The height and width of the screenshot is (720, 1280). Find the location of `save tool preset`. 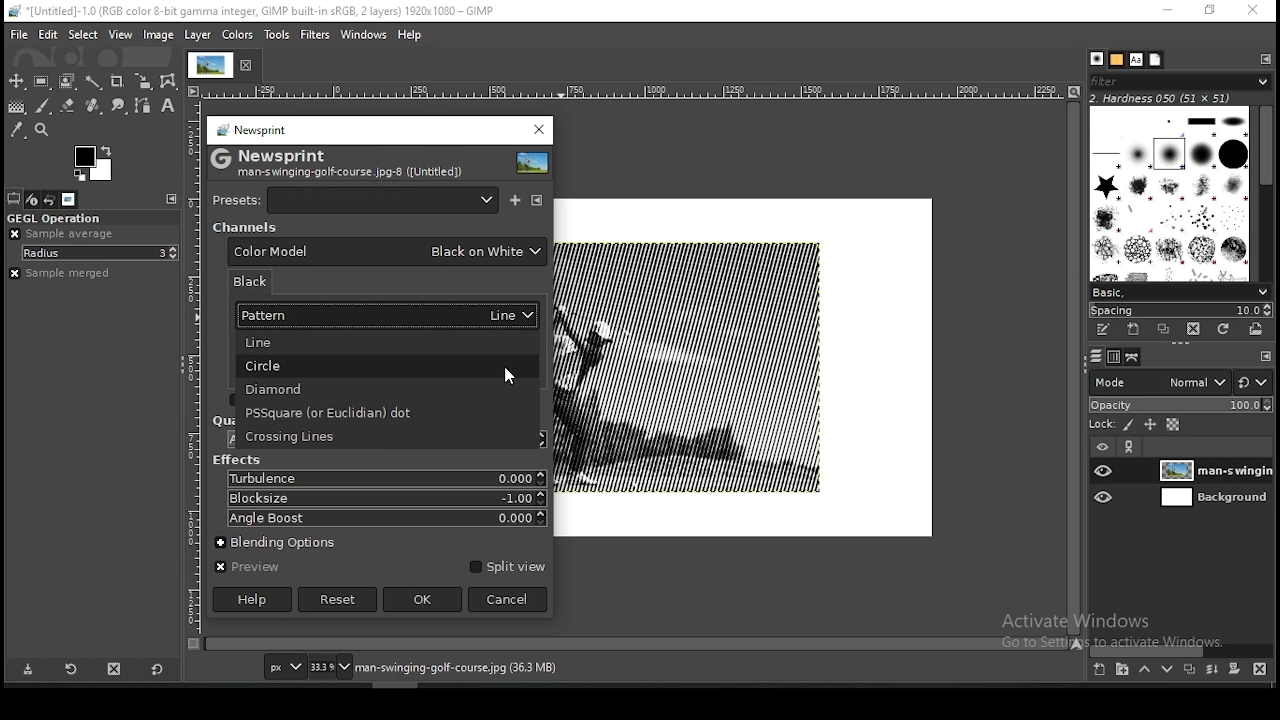

save tool preset is located at coordinates (29, 670).